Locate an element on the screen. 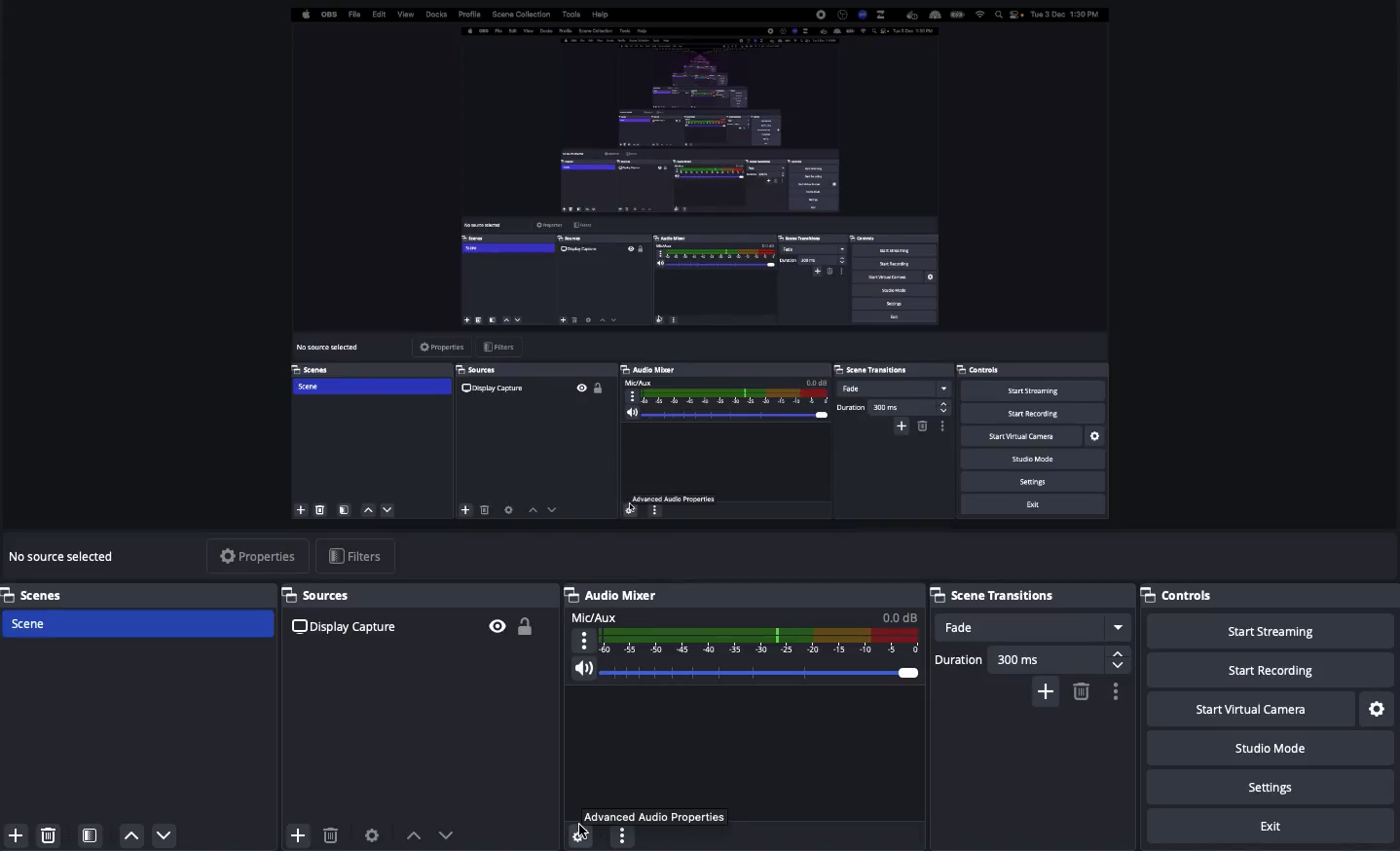 The width and height of the screenshot is (1400, 851). Unlock is located at coordinates (529, 627).